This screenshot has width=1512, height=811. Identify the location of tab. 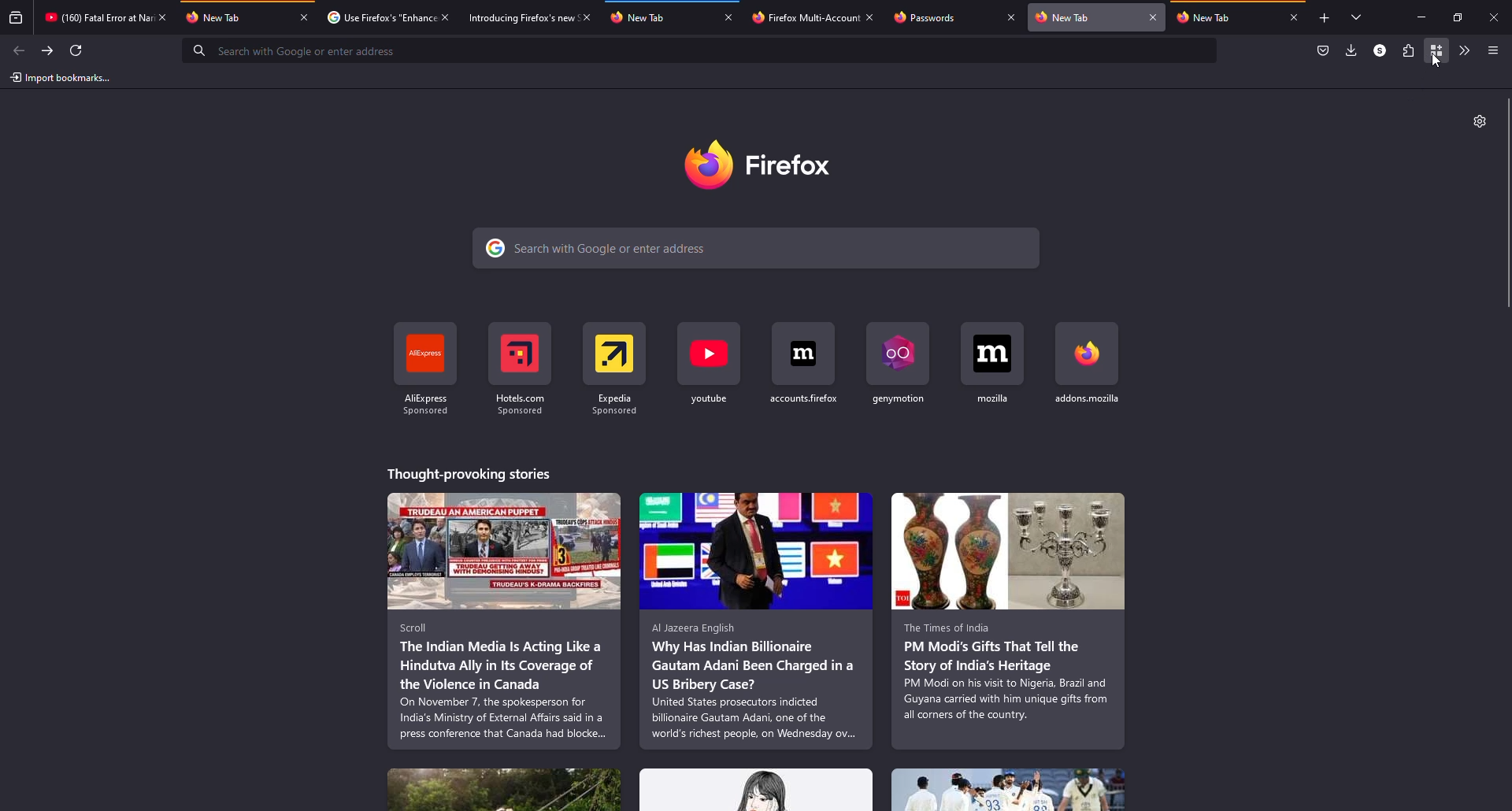
(235, 17).